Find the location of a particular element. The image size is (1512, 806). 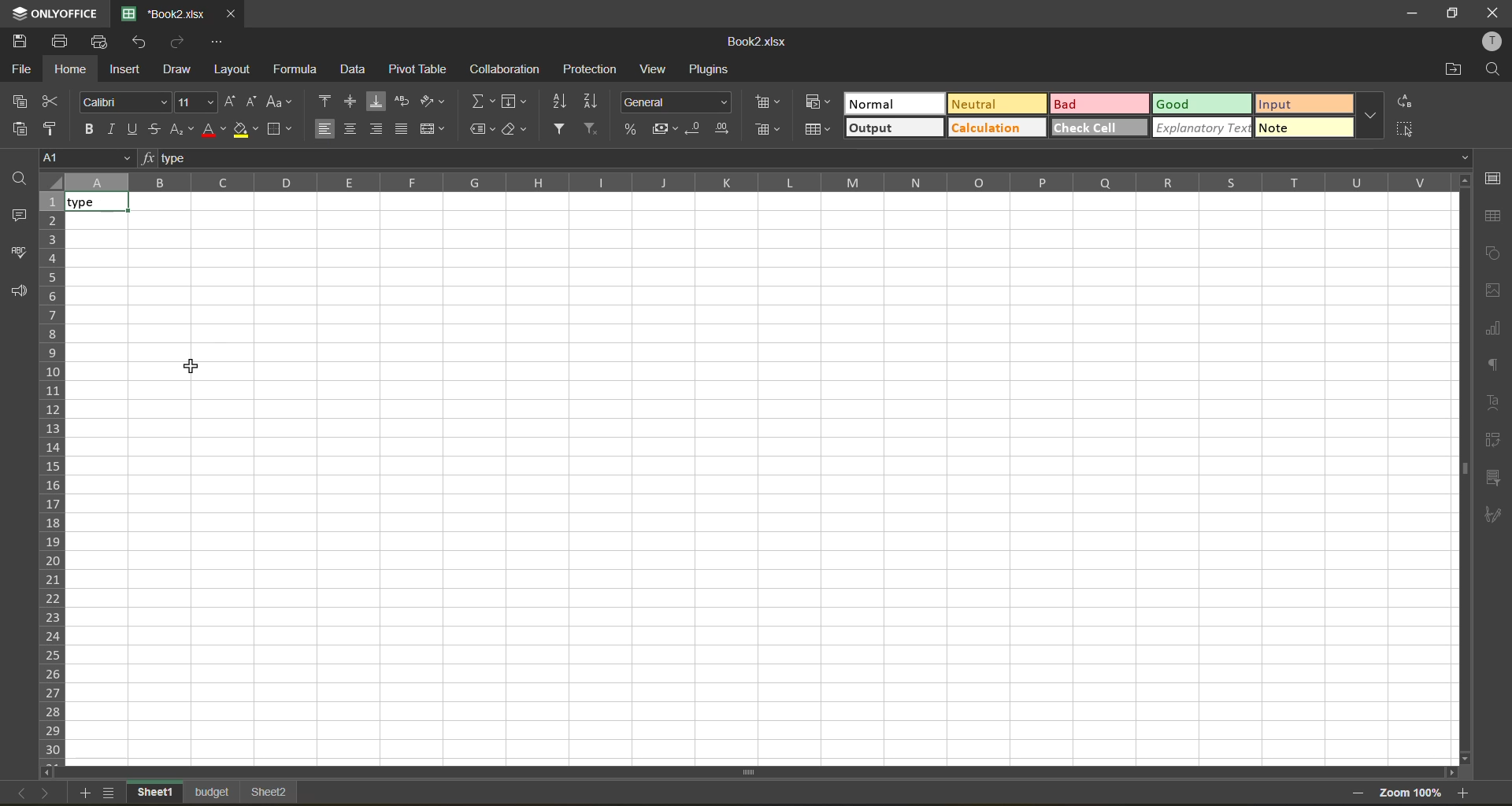

paste is located at coordinates (22, 104).